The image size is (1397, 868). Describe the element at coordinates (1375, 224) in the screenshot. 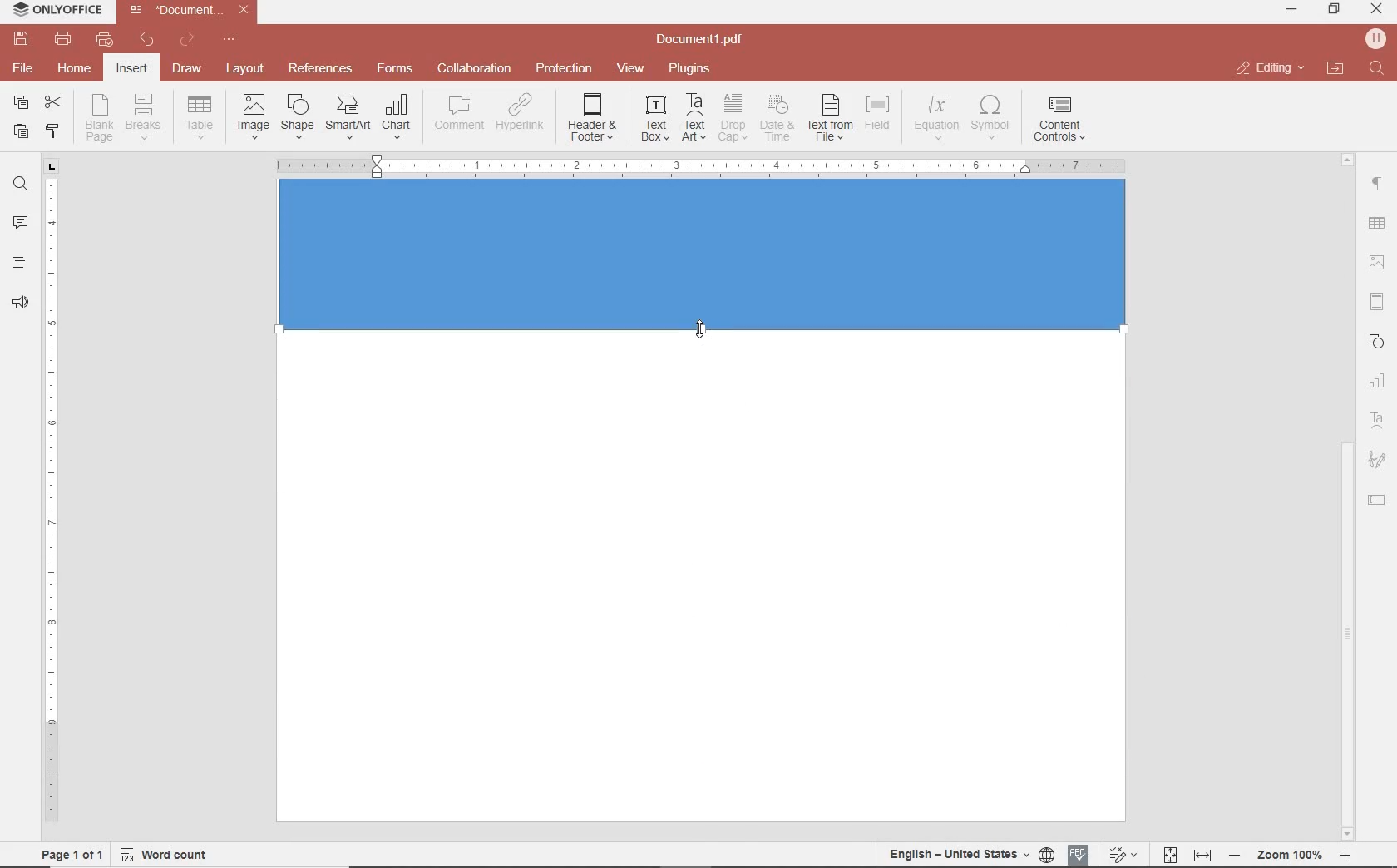

I see `` at that location.